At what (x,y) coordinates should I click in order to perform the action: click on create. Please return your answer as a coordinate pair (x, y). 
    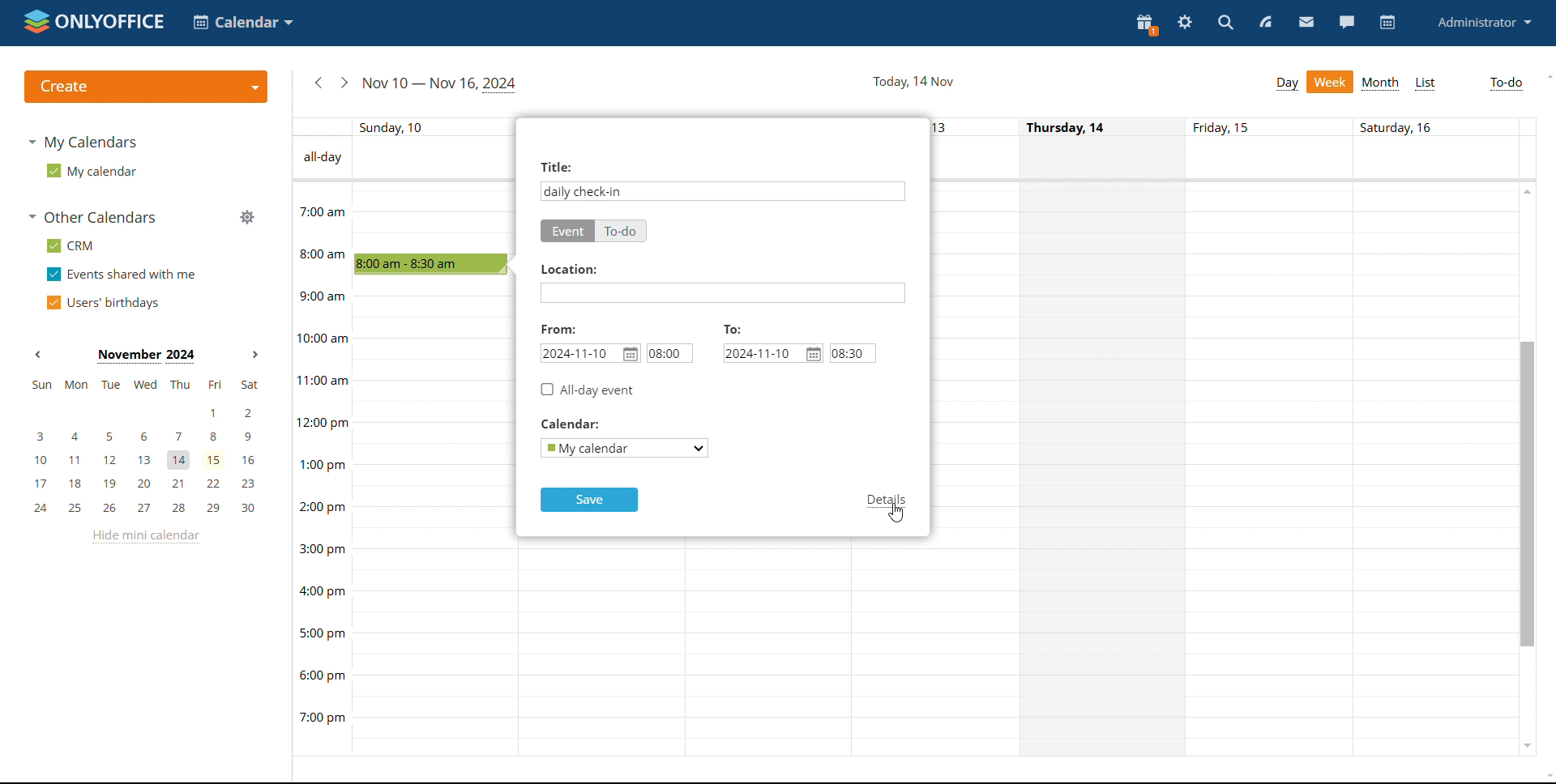
    Looking at the image, I should click on (145, 87).